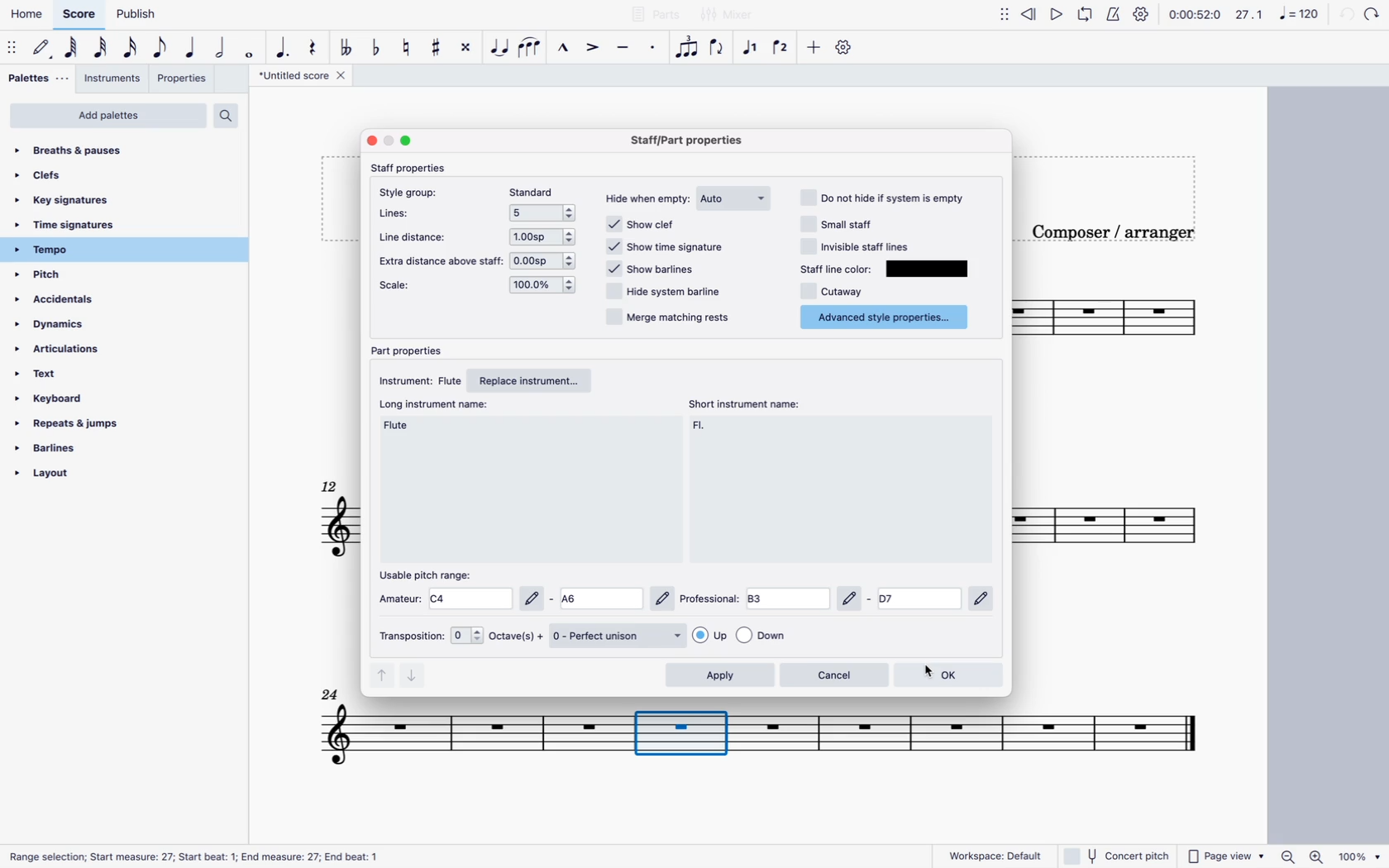 This screenshot has width=1389, height=868. I want to click on articulations, so click(79, 350).